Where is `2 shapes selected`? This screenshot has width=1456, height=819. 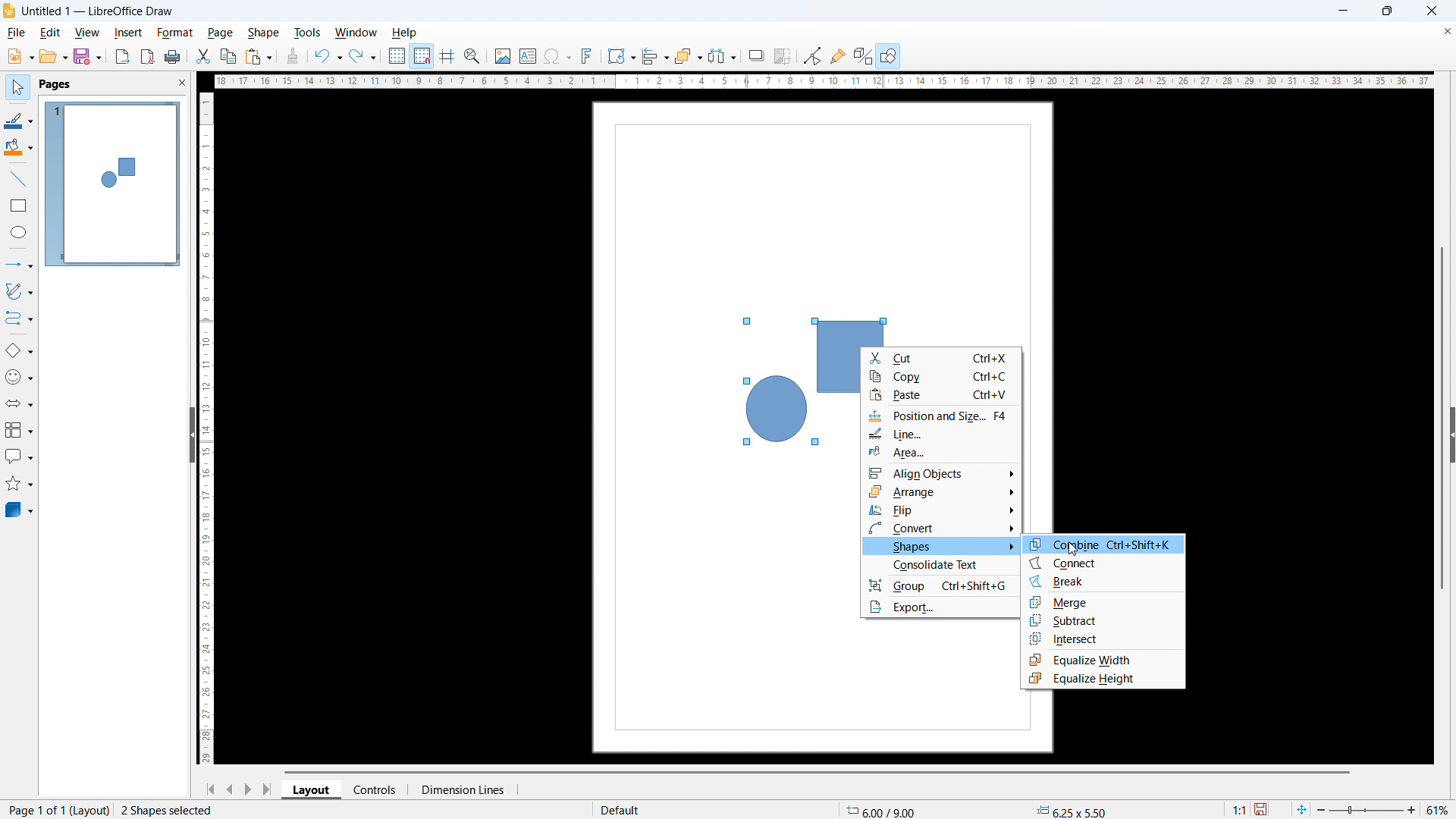
2 shapes selected is located at coordinates (170, 809).